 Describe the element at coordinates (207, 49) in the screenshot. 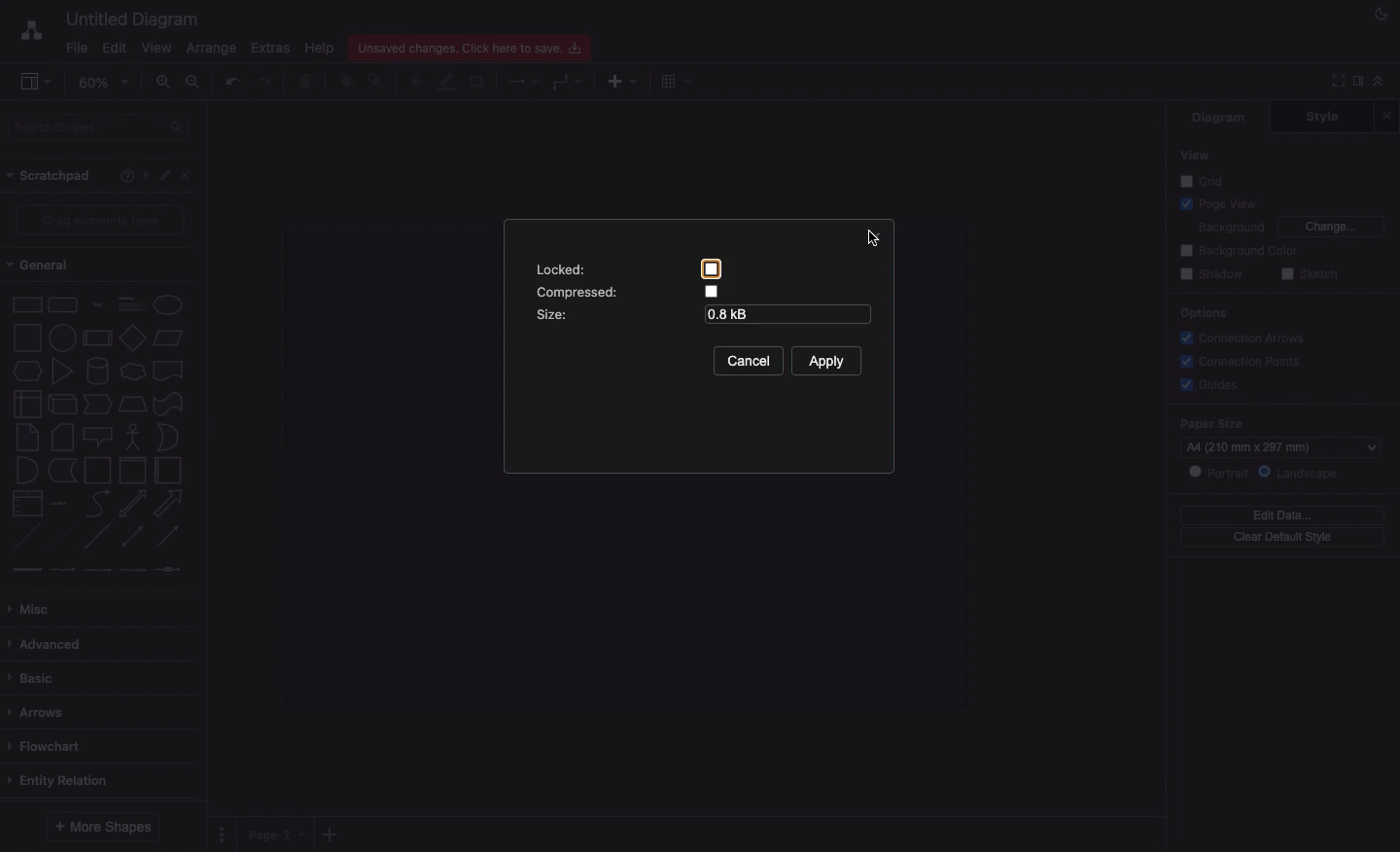

I see `Arrange` at that location.